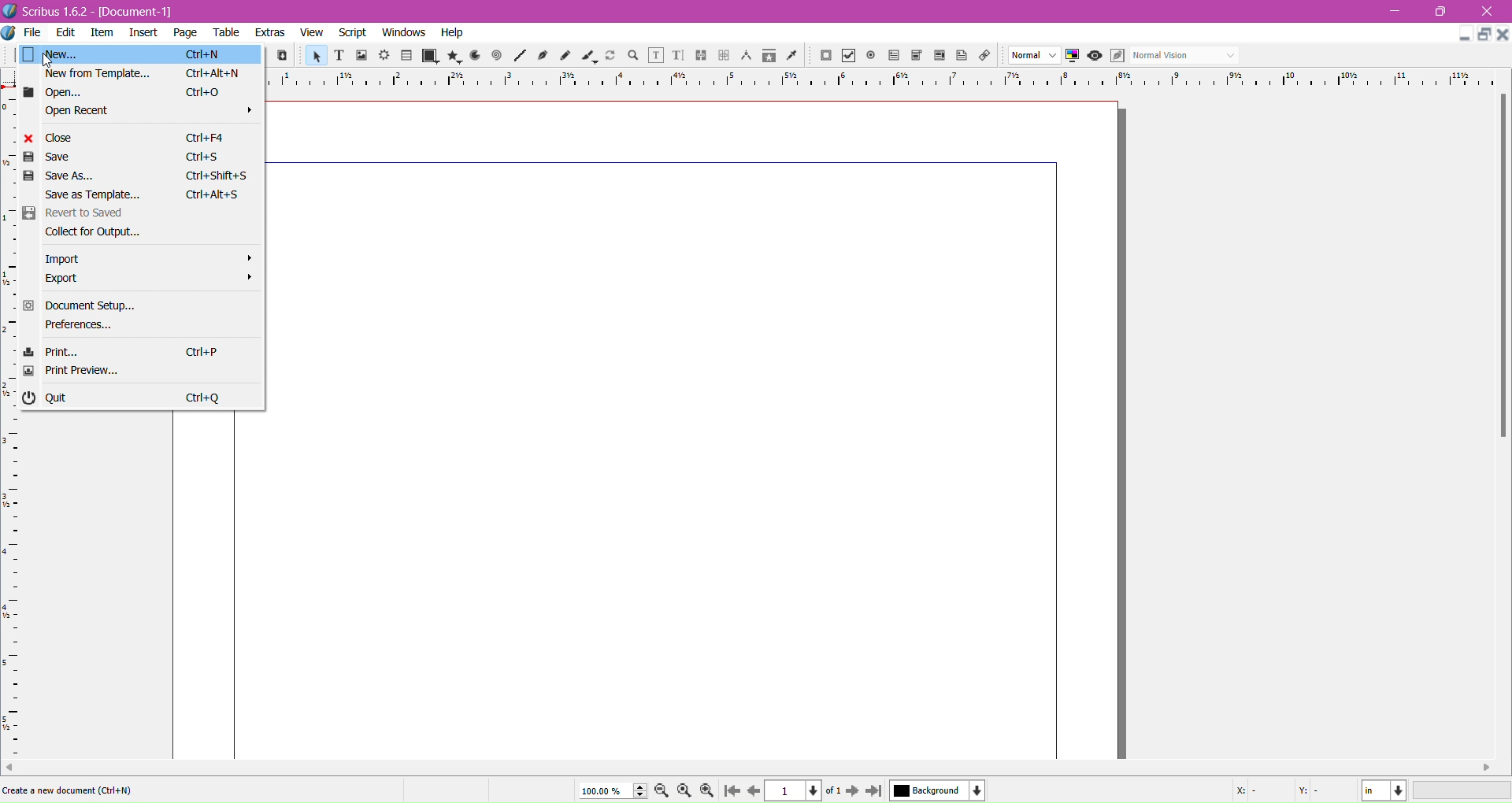 This screenshot has height=803, width=1512. What do you see at coordinates (137, 327) in the screenshot?
I see `Preferences` at bounding box center [137, 327].